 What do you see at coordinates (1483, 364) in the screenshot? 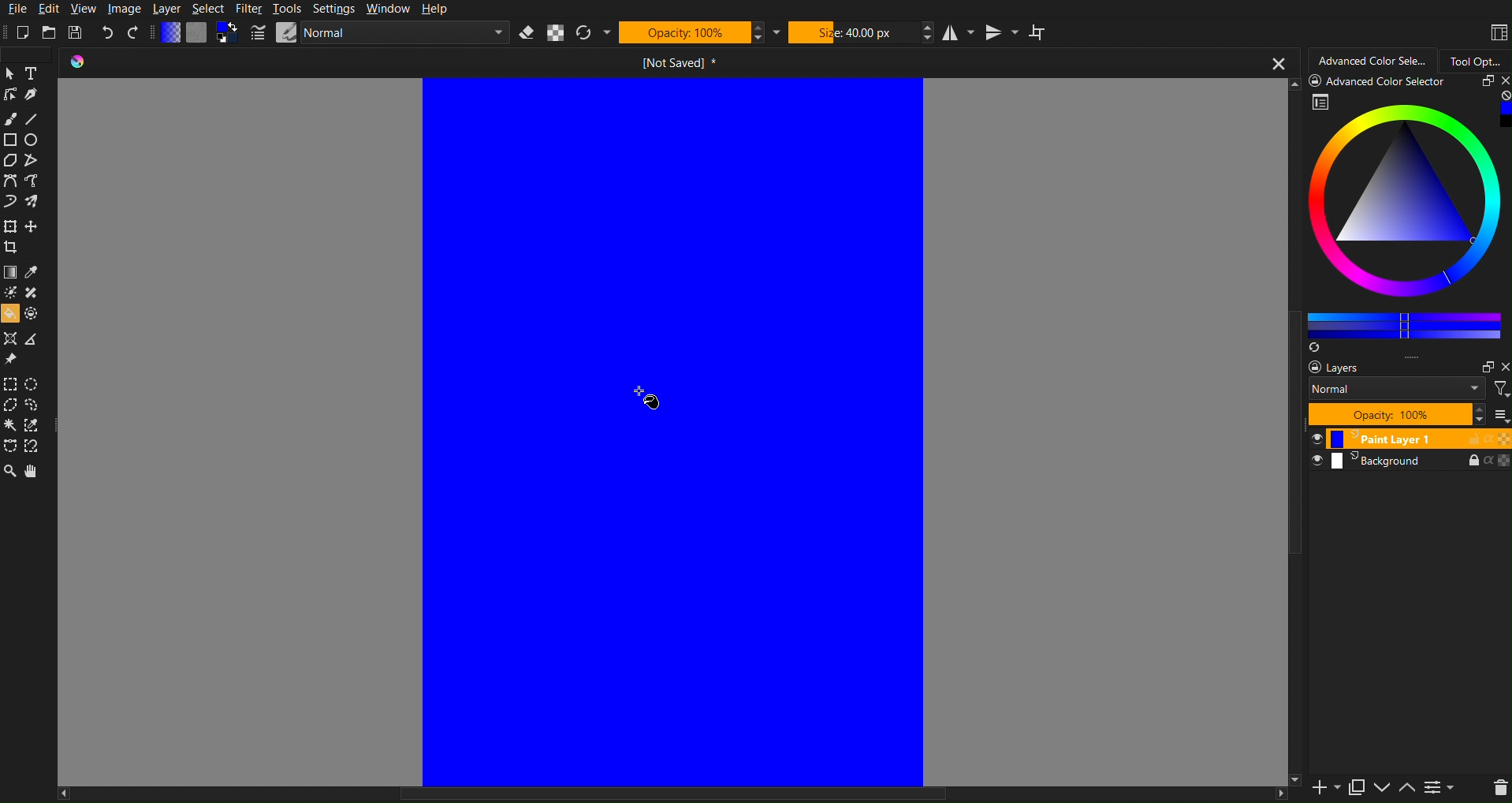
I see `maximize` at bounding box center [1483, 364].